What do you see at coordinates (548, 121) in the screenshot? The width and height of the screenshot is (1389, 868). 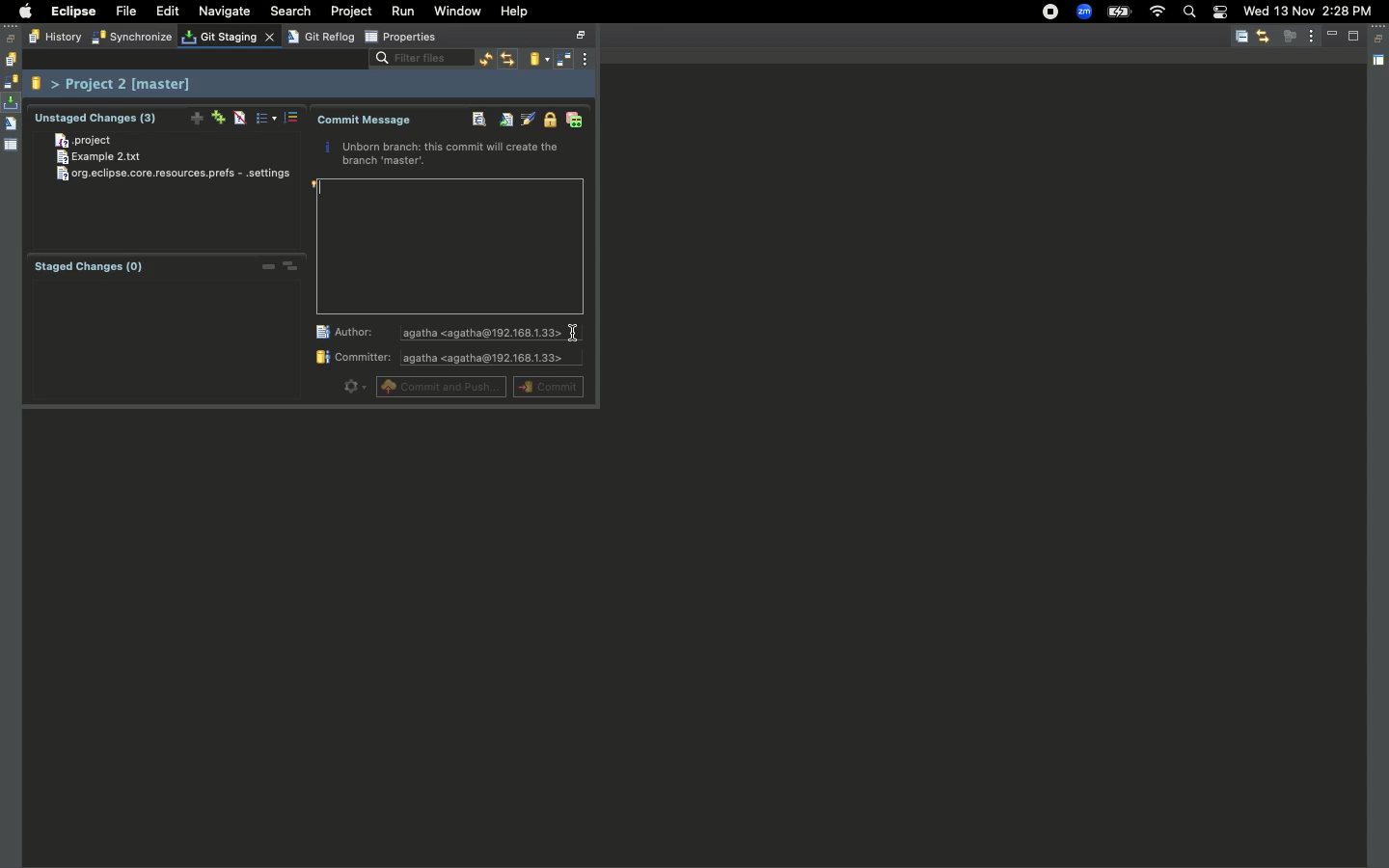 I see `Sign commit` at bounding box center [548, 121].